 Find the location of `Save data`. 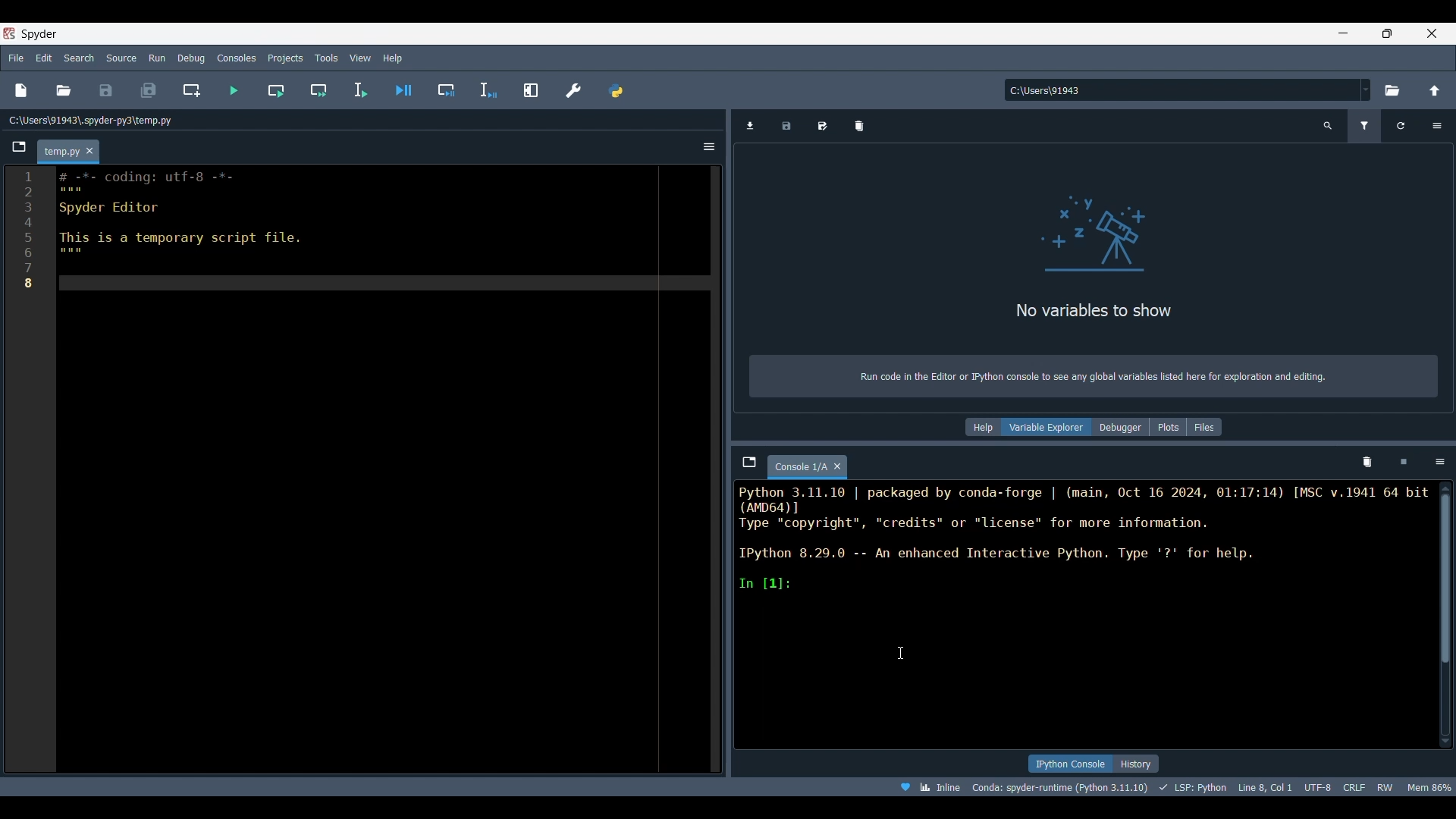

Save data is located at coordinates (786, 126).